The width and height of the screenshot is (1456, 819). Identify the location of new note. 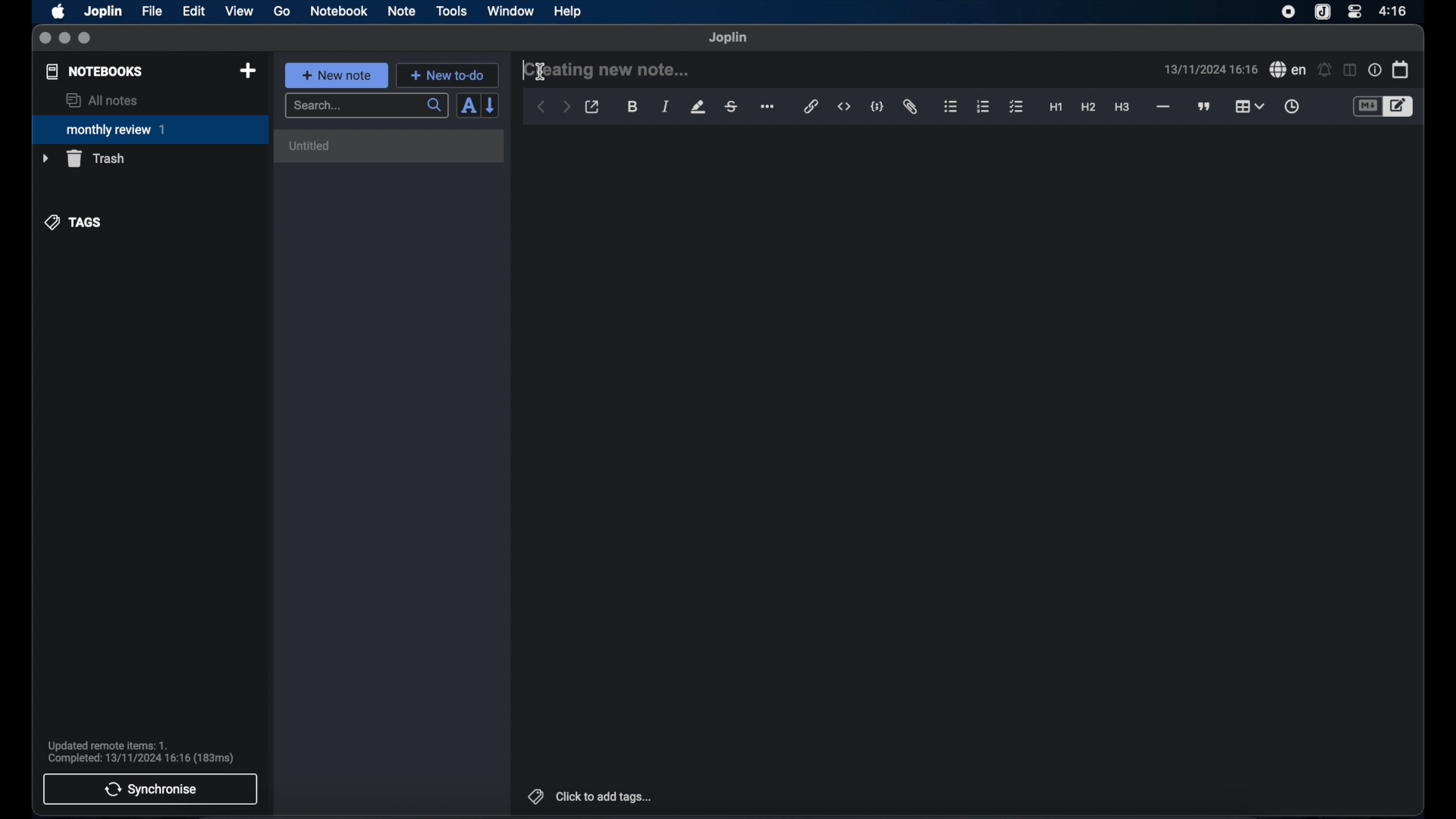
(336, 75).